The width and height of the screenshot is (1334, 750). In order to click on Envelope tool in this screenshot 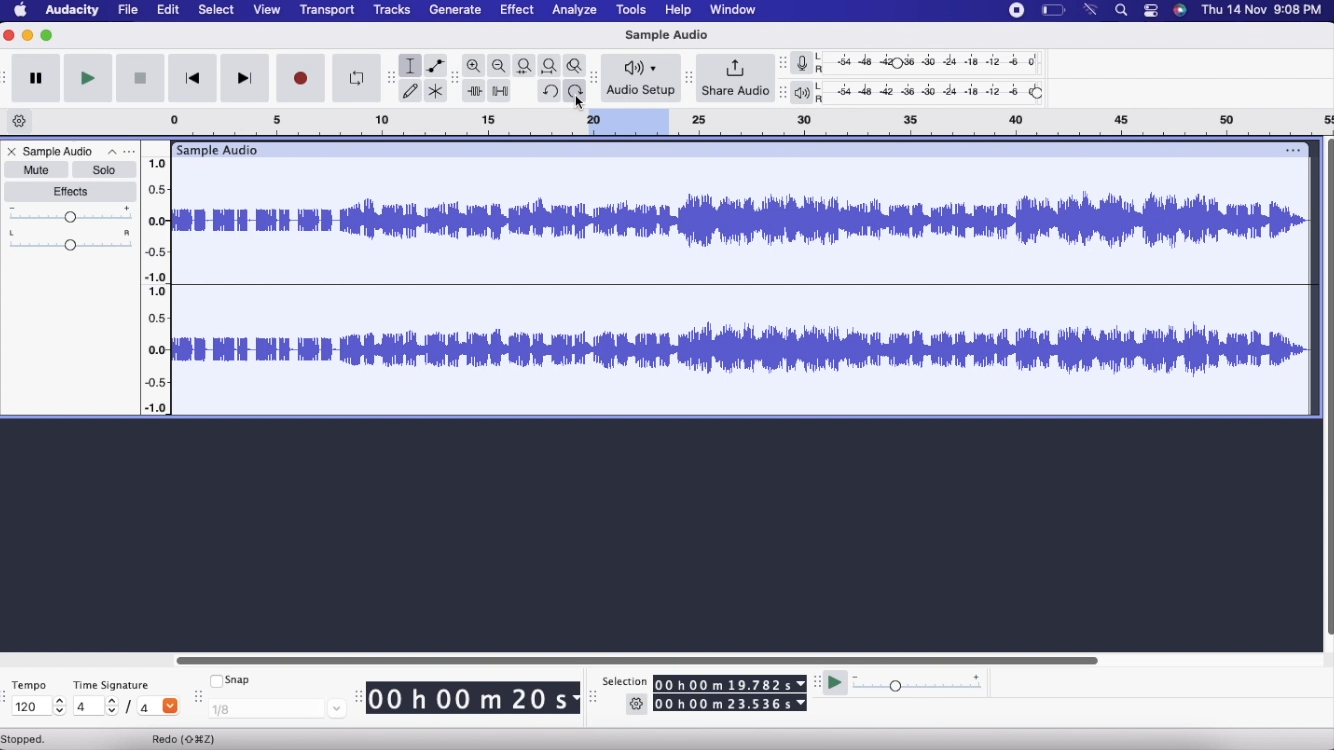, I will do `click(436, 66)`.